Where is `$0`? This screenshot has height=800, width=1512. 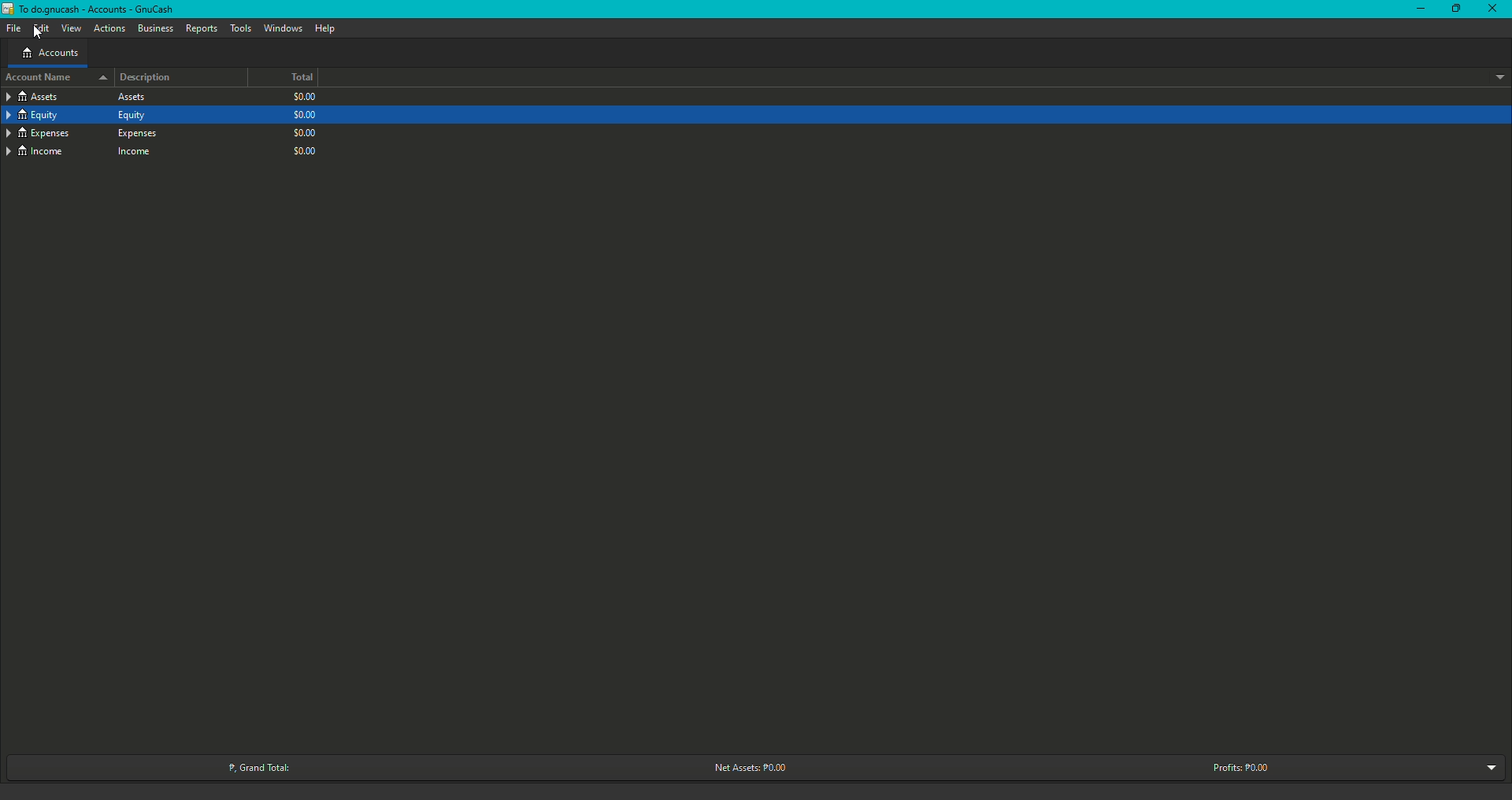 $0 is located at coordinates (303, 131).